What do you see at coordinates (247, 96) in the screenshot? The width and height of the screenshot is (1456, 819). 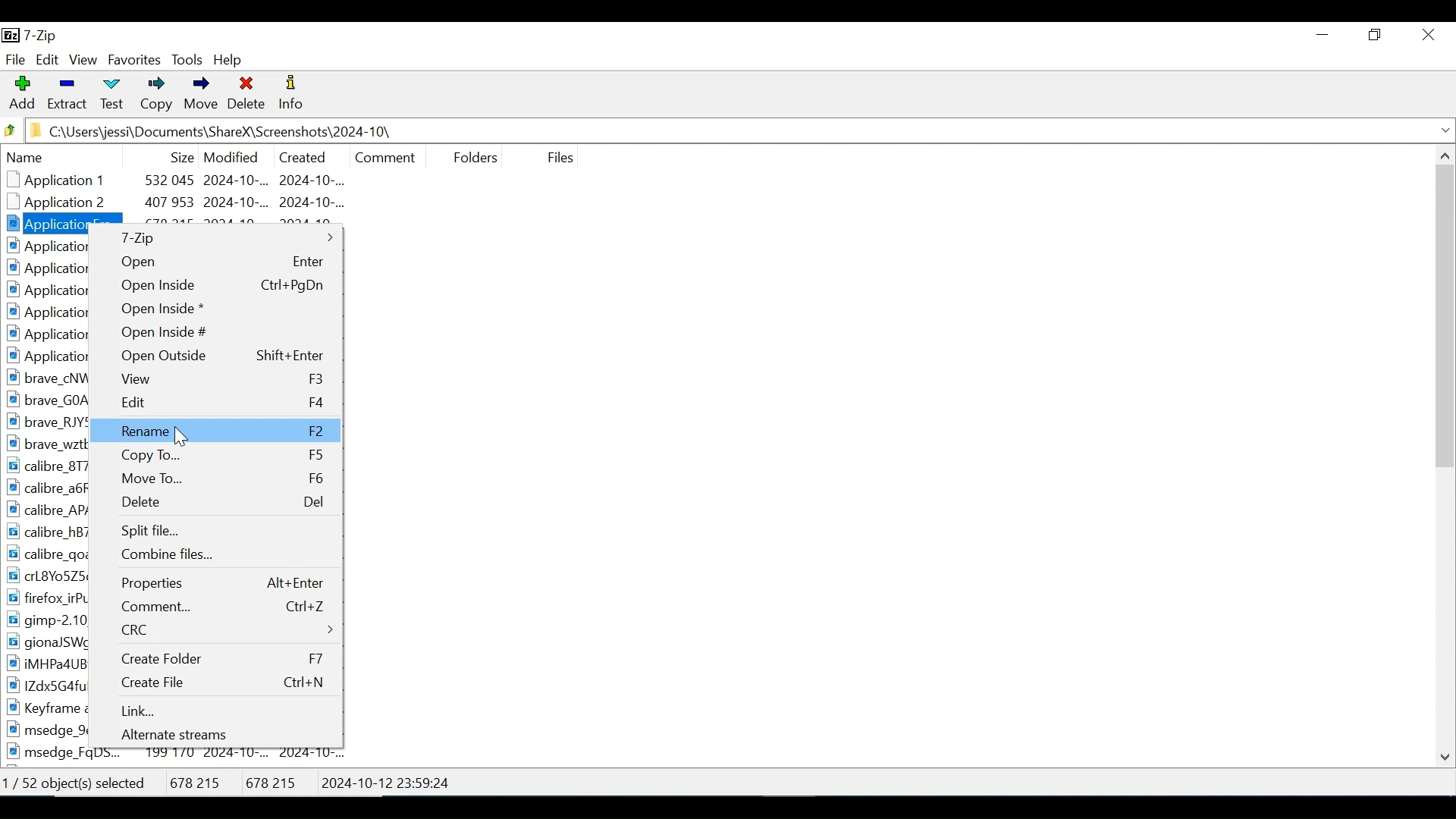 I see `Delete` at bounding box center [247, 96].